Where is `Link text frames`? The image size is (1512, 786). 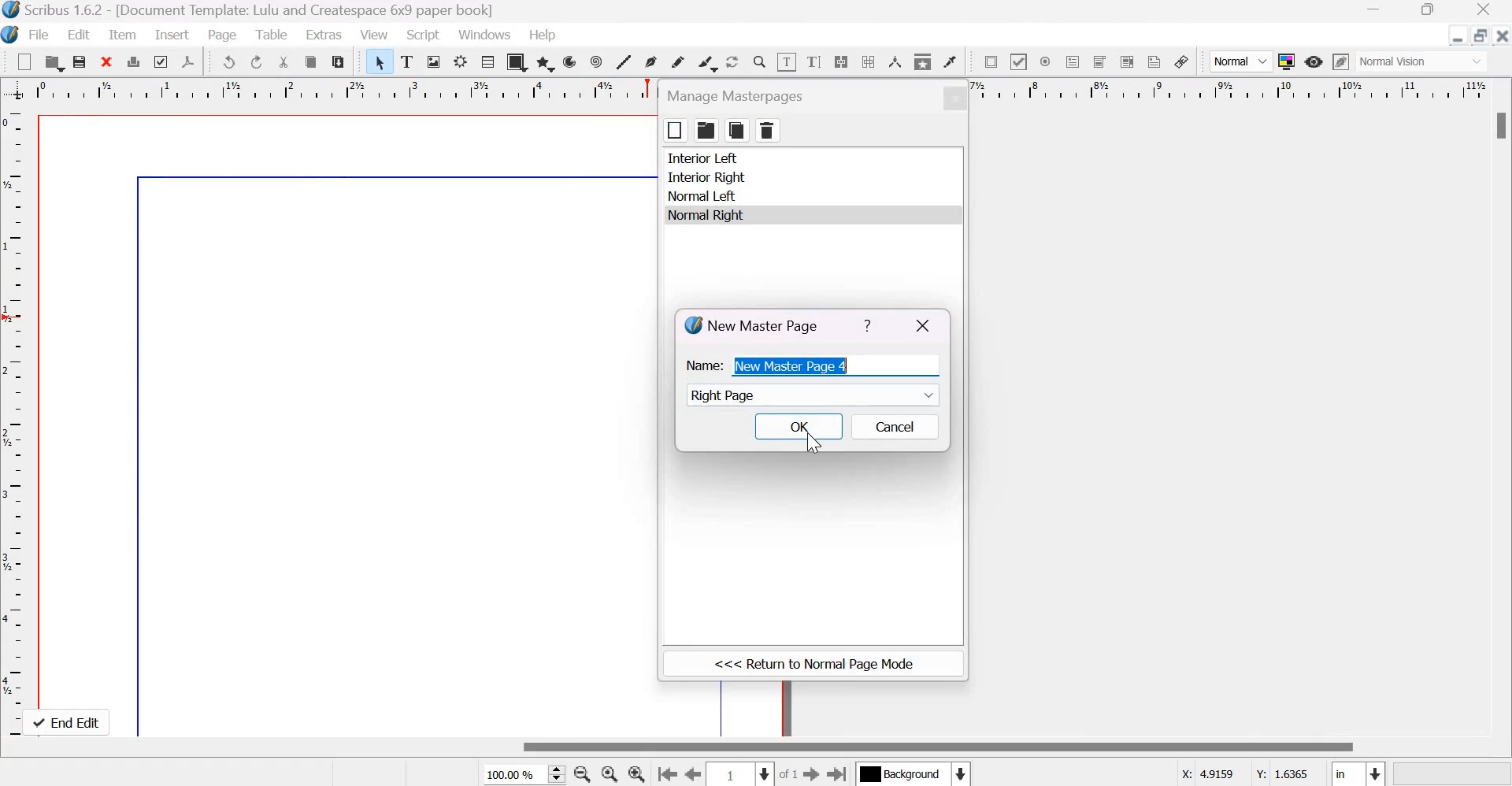 Link text frames is located at coordinates (839, 61).